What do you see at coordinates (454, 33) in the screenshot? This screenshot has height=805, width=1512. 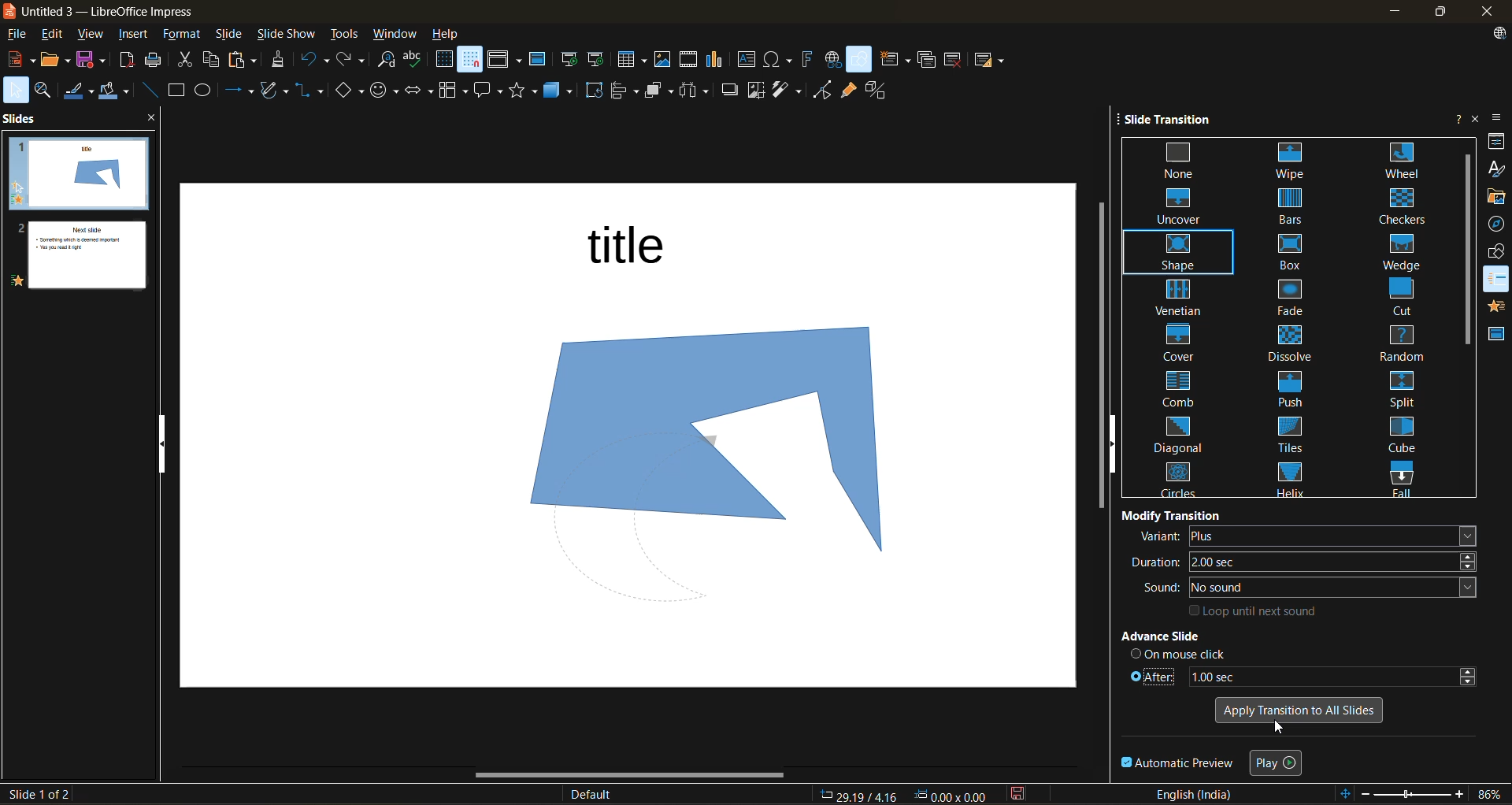 I see `help` at bounding box center [454, 33].